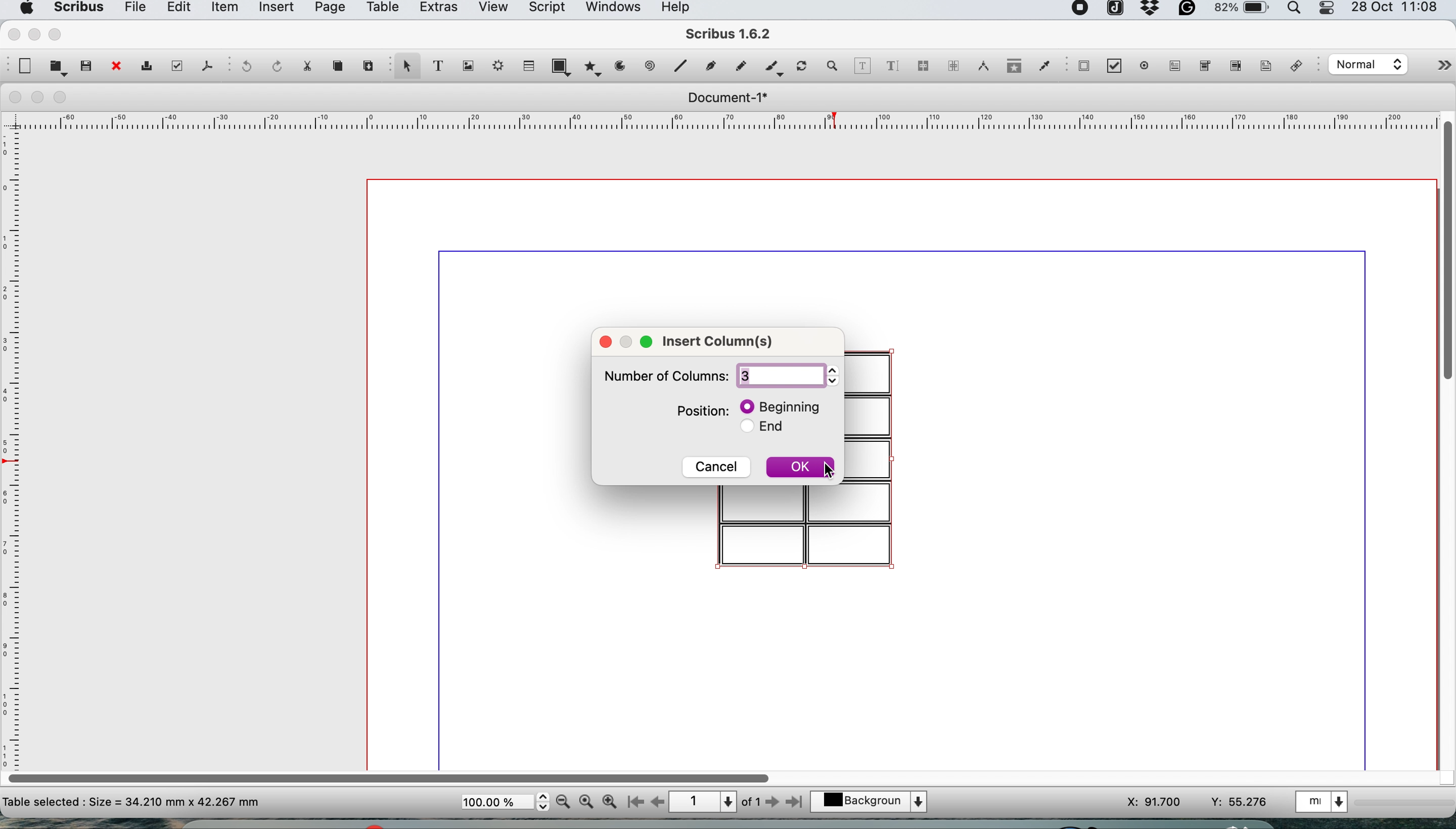 This screenshot has width=1456, height=829. I want to click on redo, so click(274, 65).